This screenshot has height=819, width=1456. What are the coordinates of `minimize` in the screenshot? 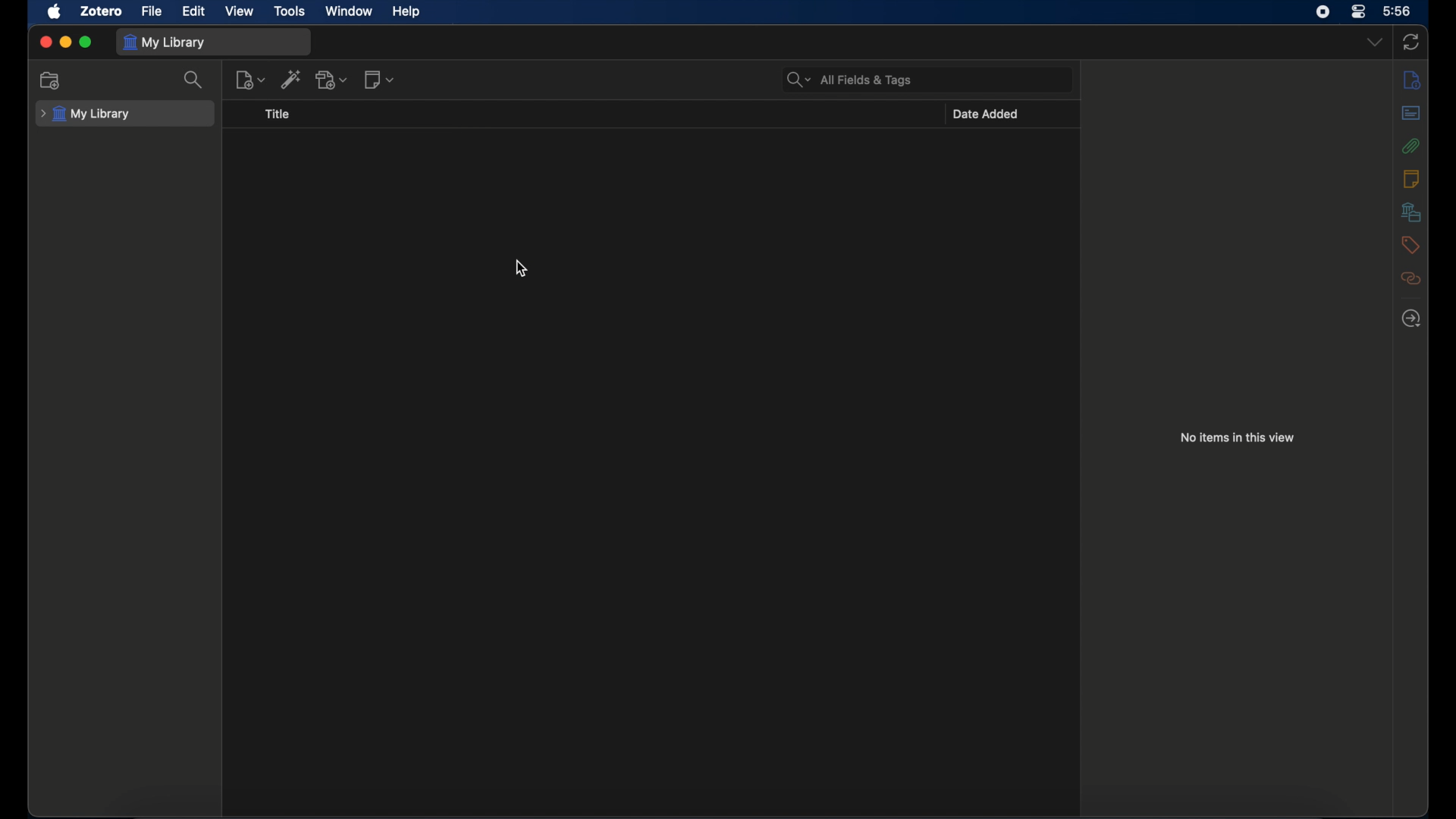 It's located at (67, 42).